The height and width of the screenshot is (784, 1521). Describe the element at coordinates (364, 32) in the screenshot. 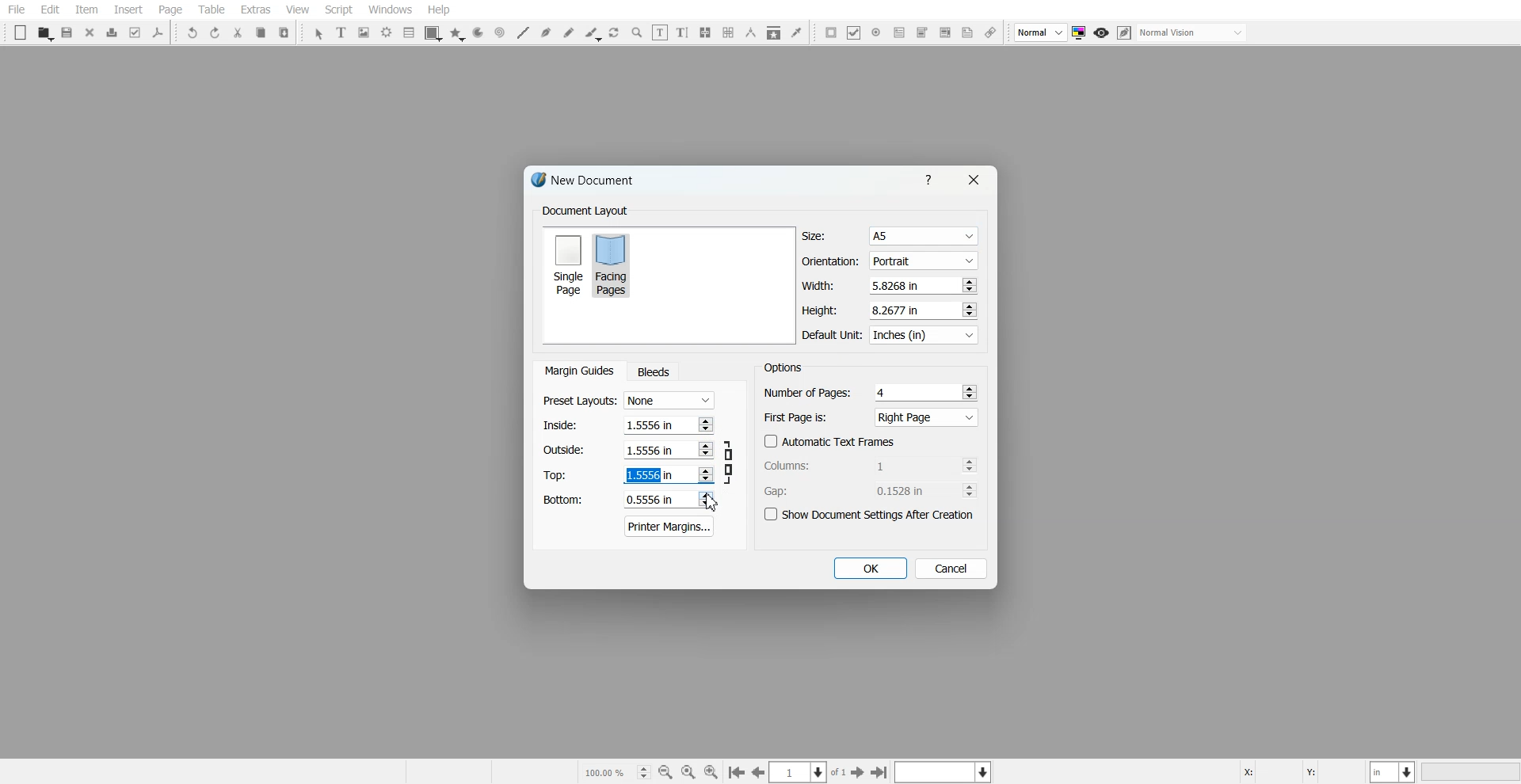

I see `Image Frame` at that location.